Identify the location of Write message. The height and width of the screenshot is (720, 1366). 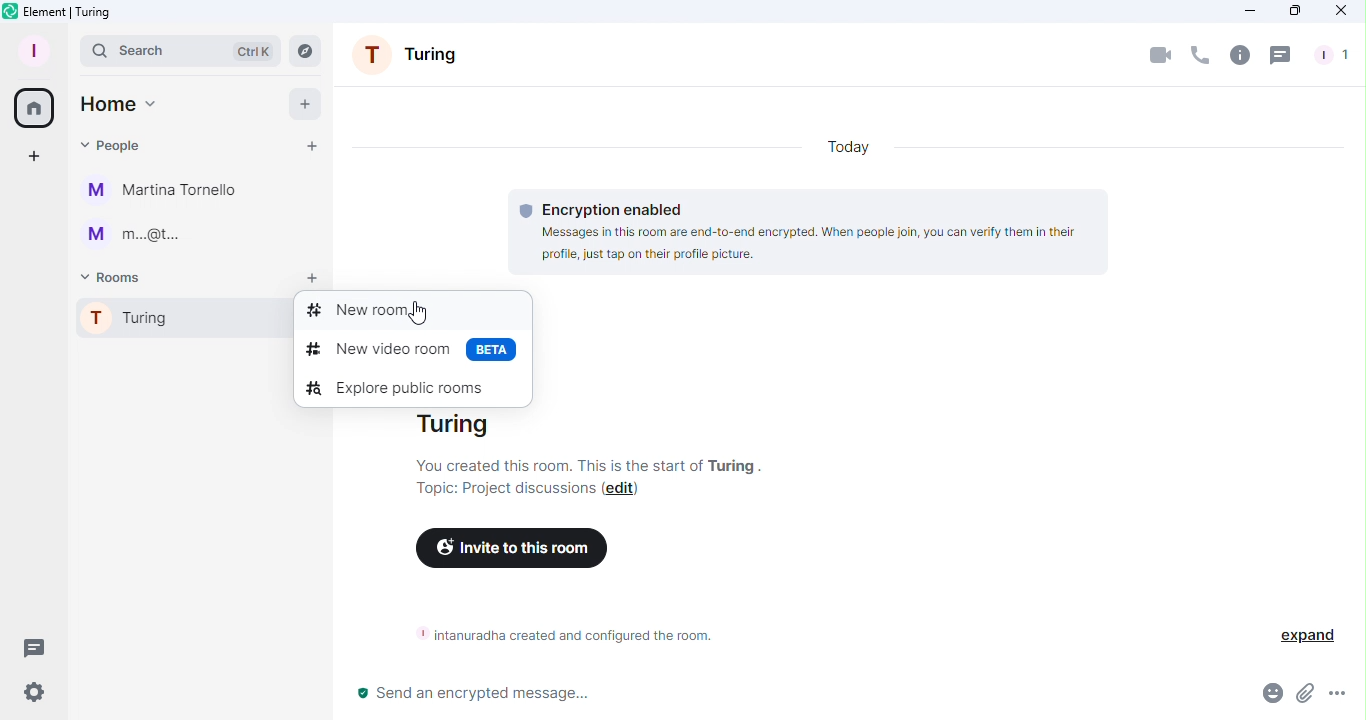
(793, 697).